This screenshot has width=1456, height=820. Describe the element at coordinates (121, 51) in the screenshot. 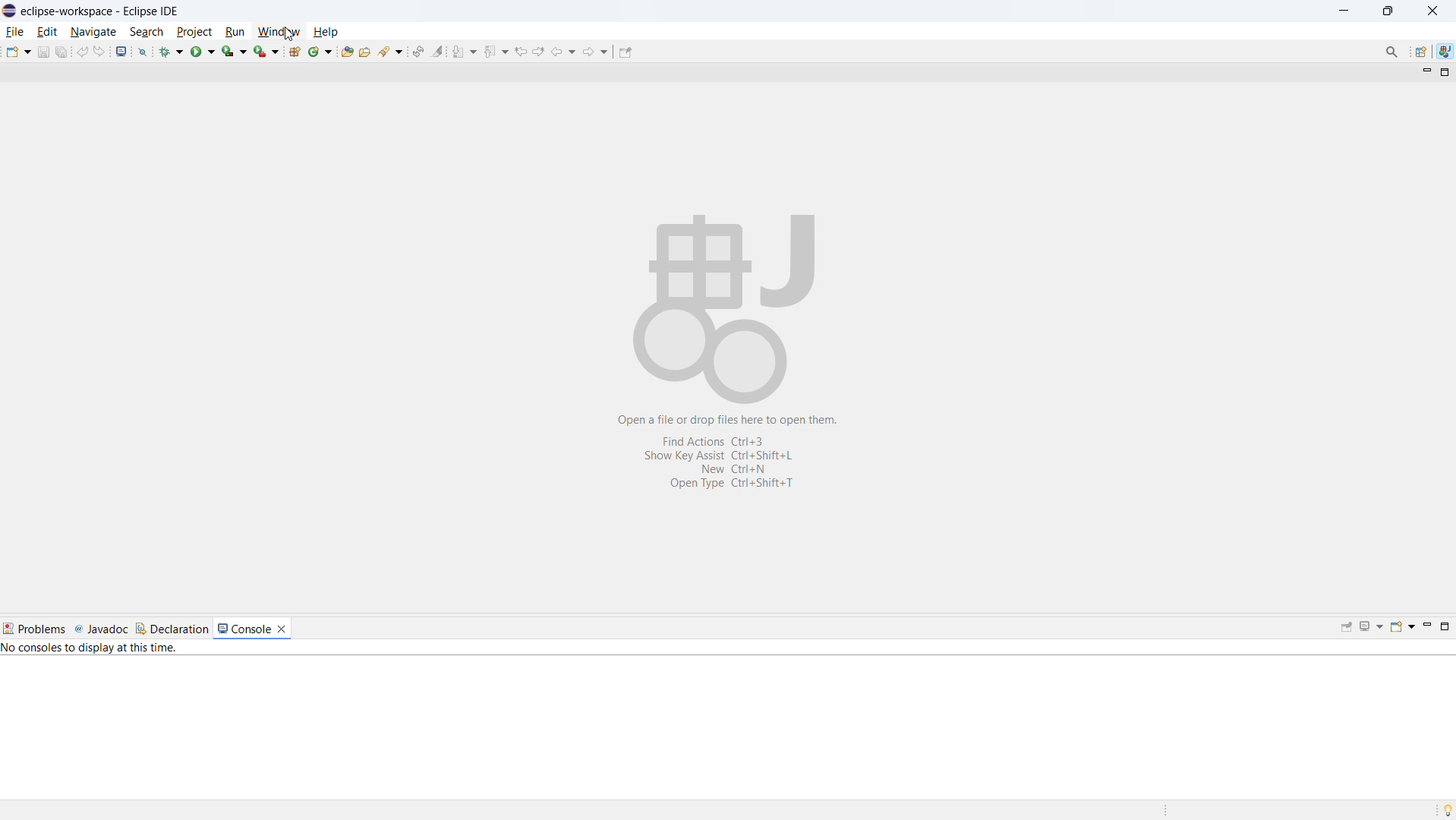

I see `open console` at that location.